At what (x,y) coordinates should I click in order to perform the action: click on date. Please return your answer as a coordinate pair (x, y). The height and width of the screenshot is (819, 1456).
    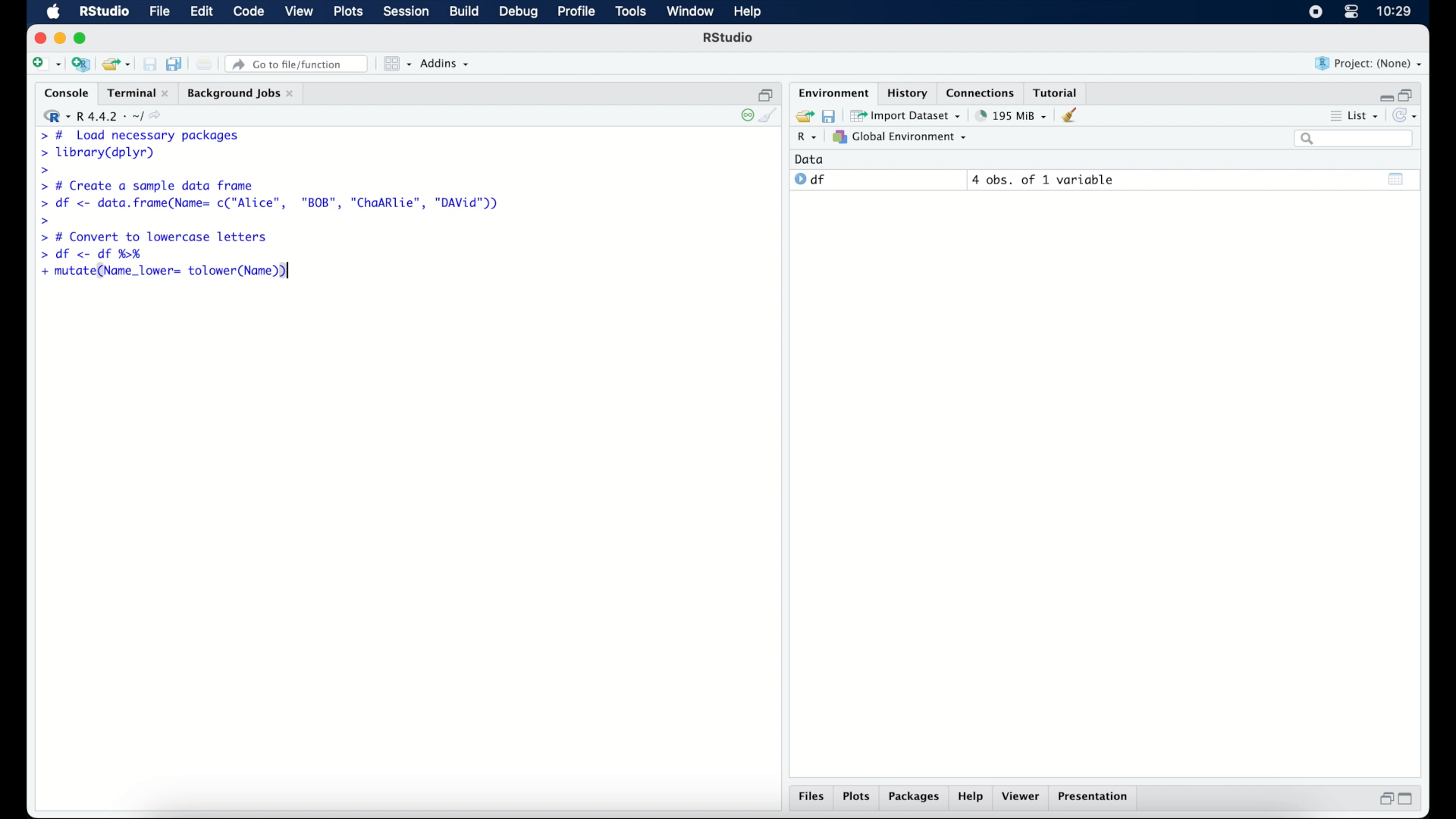
    Looking at the image, I should click on (810, 158).